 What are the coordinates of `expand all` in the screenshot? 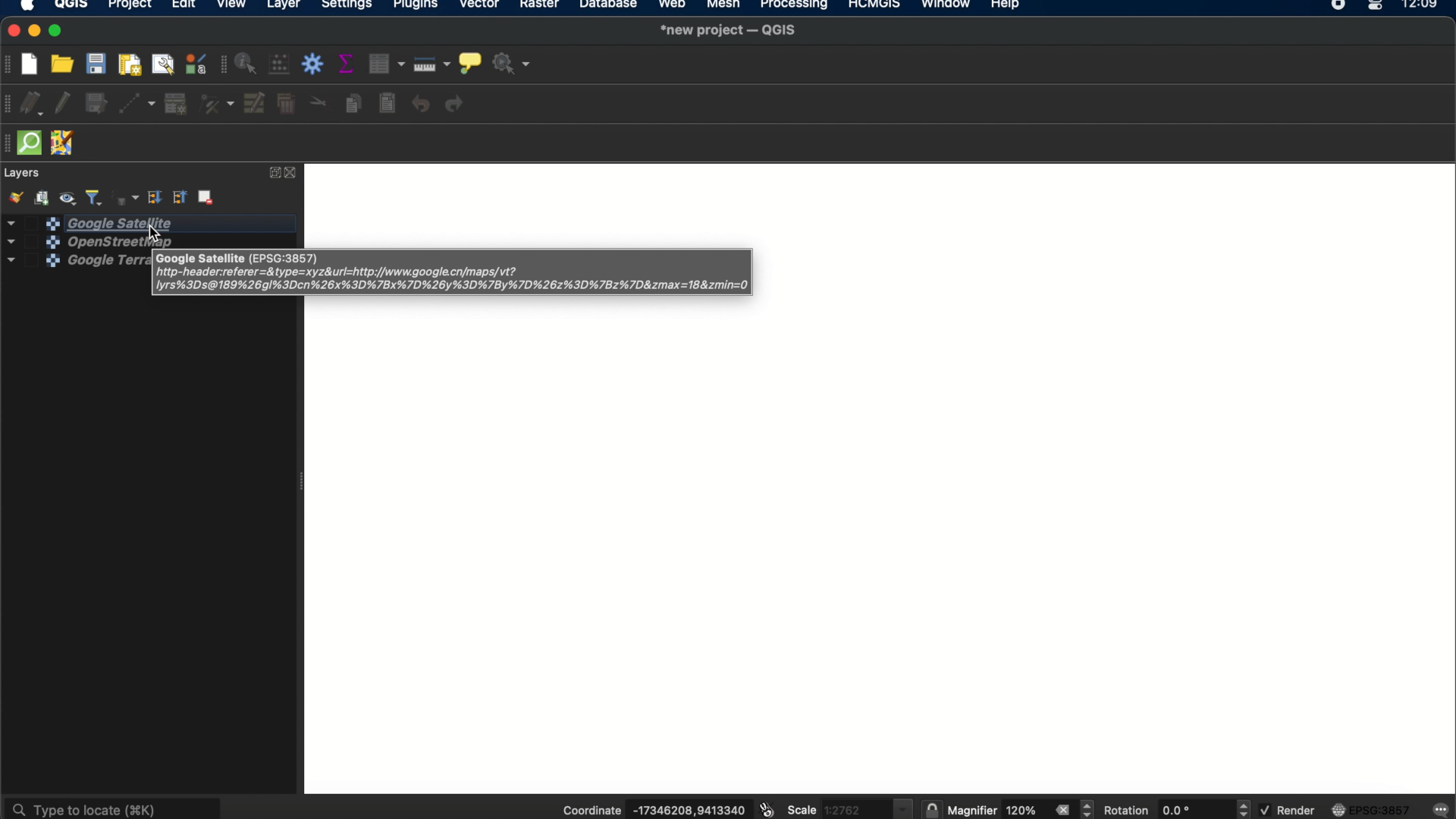 It's located at (154, 198).